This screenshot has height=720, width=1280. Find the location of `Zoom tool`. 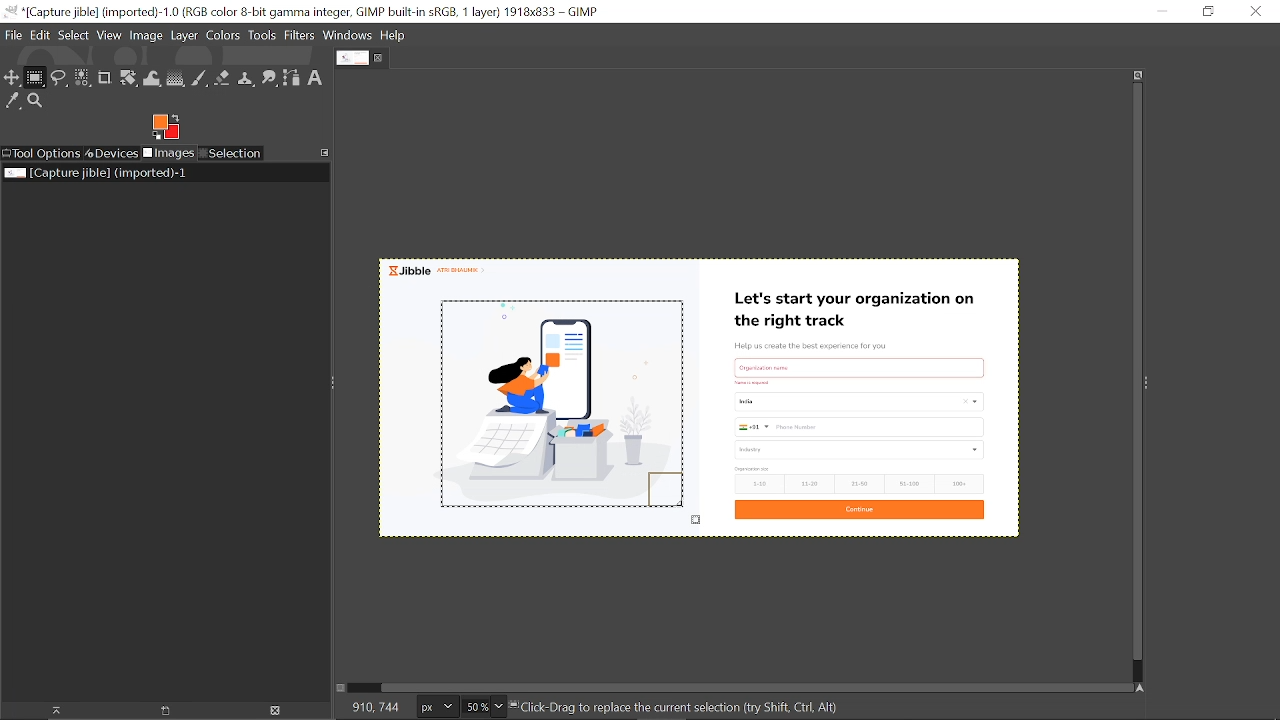

Zoom tool is located at coordinates (37, 102).